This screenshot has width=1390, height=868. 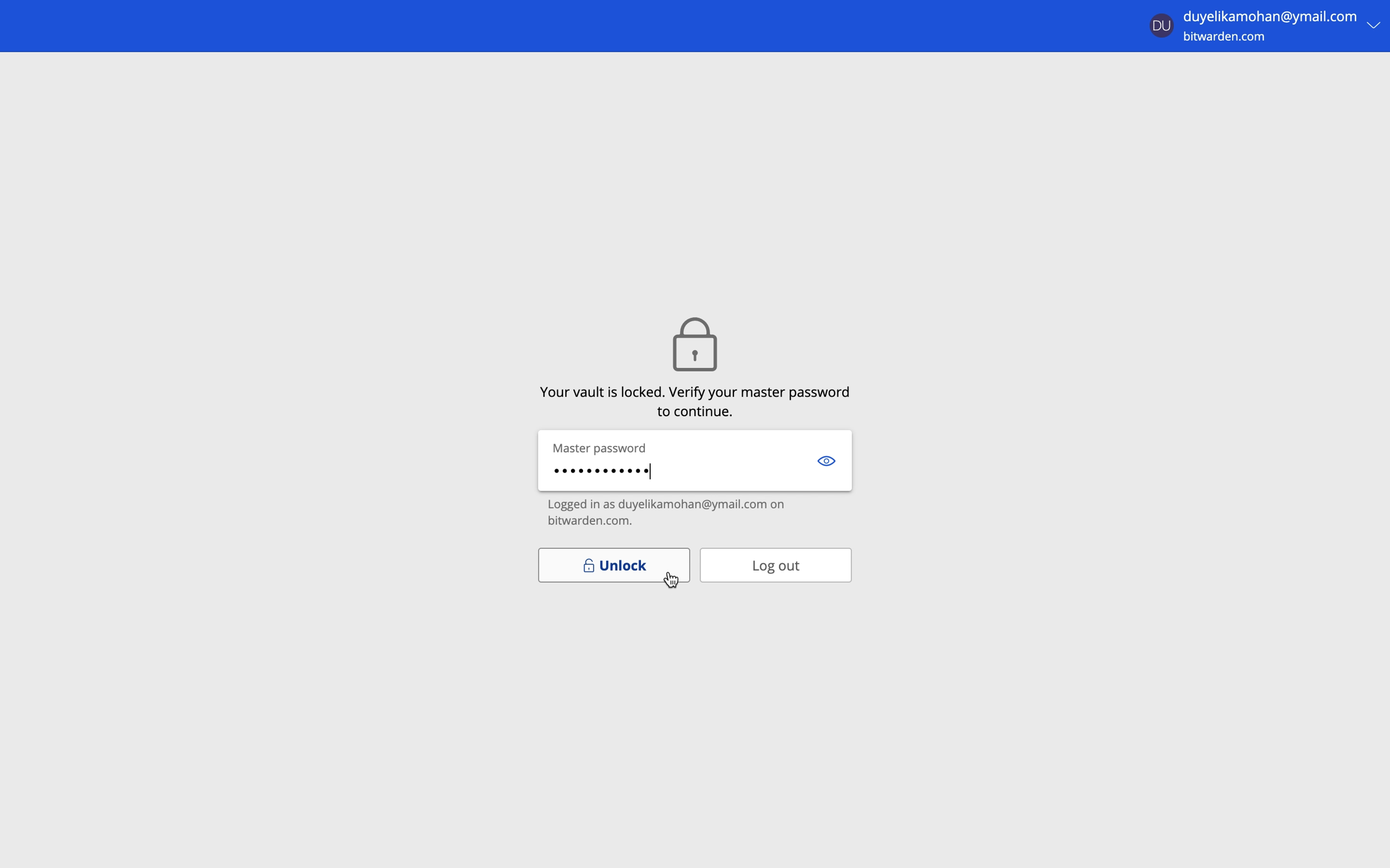 I want to click on cursor, so click(x=671, y=582).